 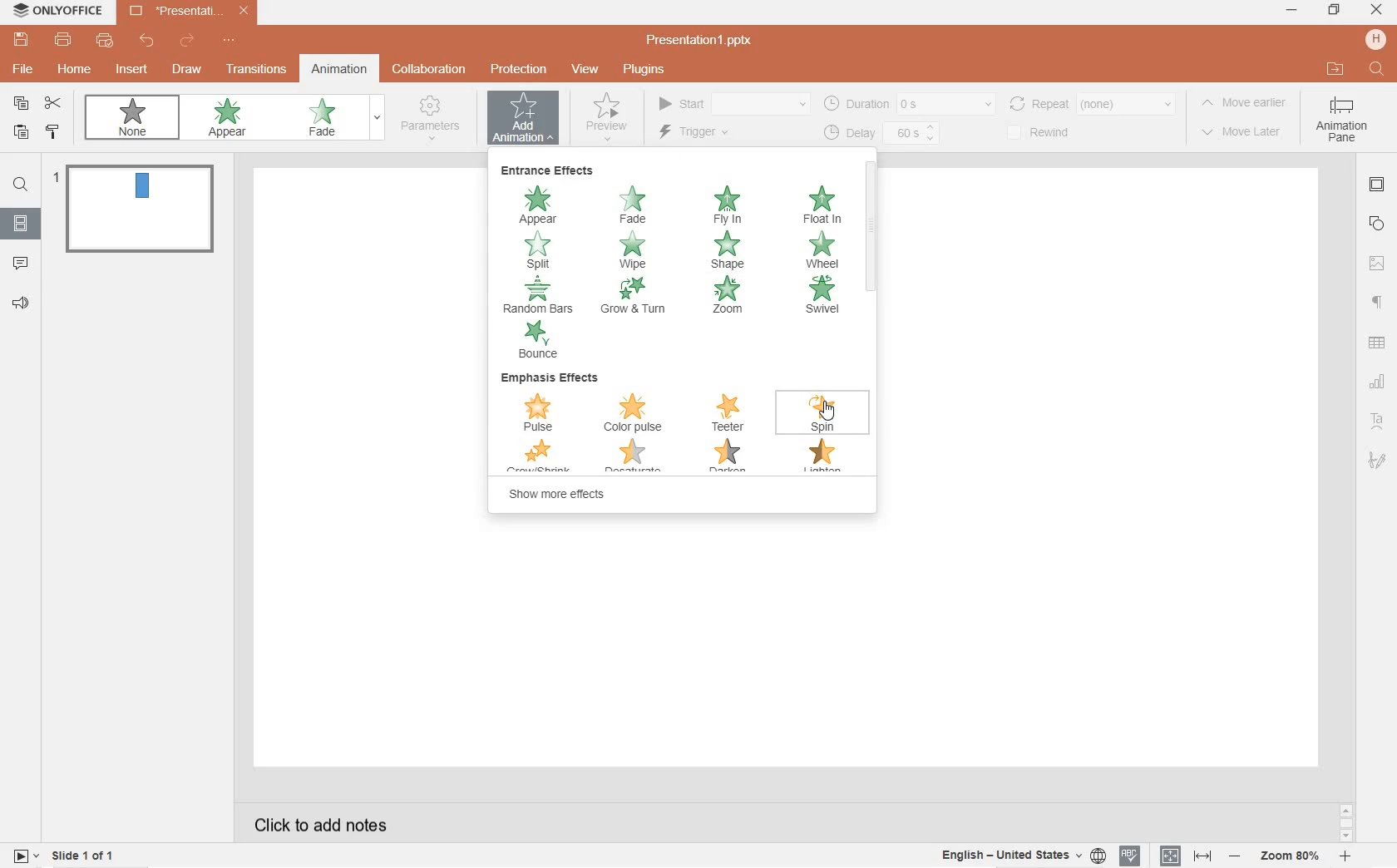 What do you see at coordinates (22, 103) in the screenshot?
I see `copy` at bounding box center [22, 103].